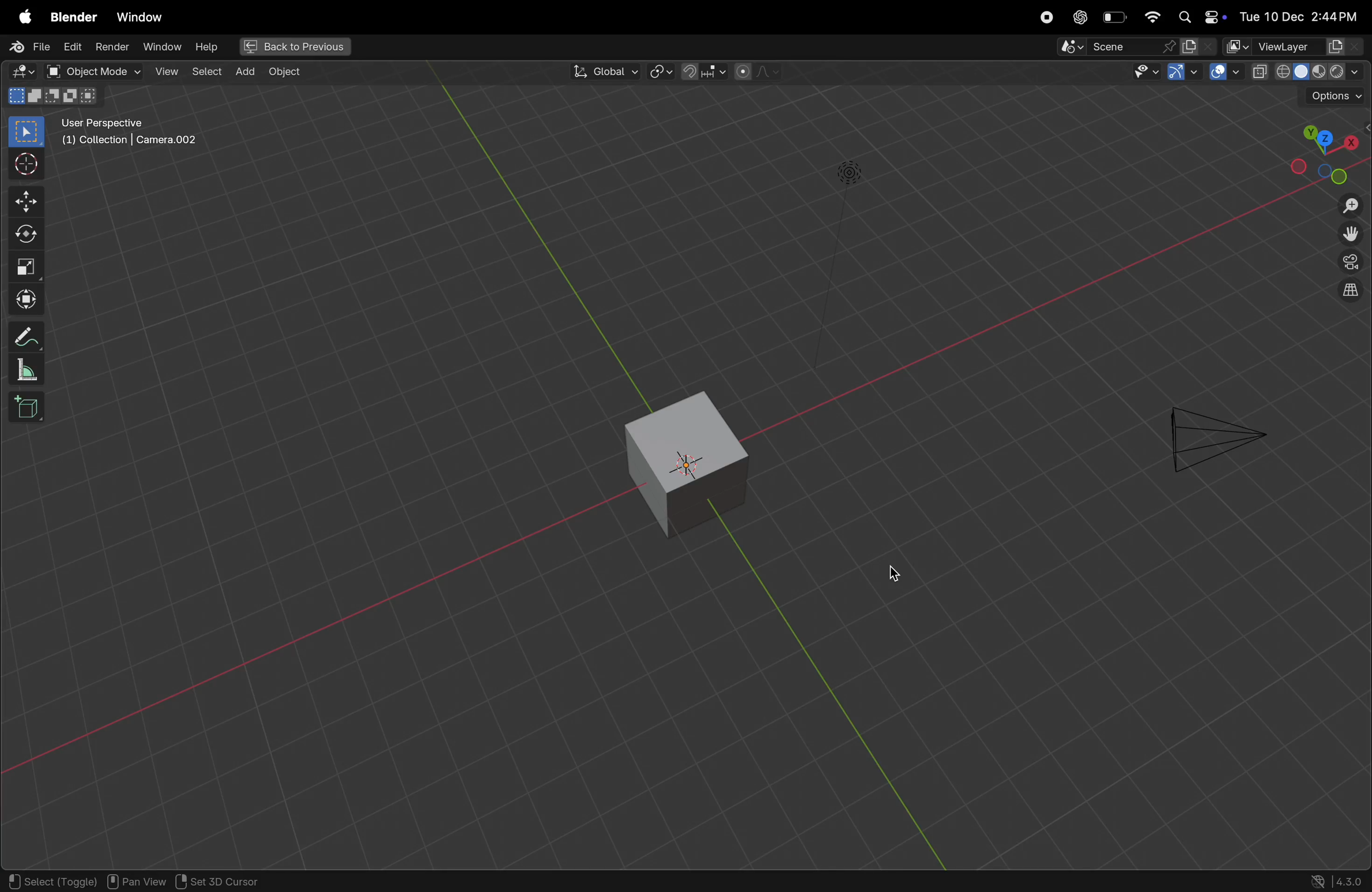  What do you see at coordinates (1045, 17) in the screenshot?
I see `record` at bounding box center [1045, 17].